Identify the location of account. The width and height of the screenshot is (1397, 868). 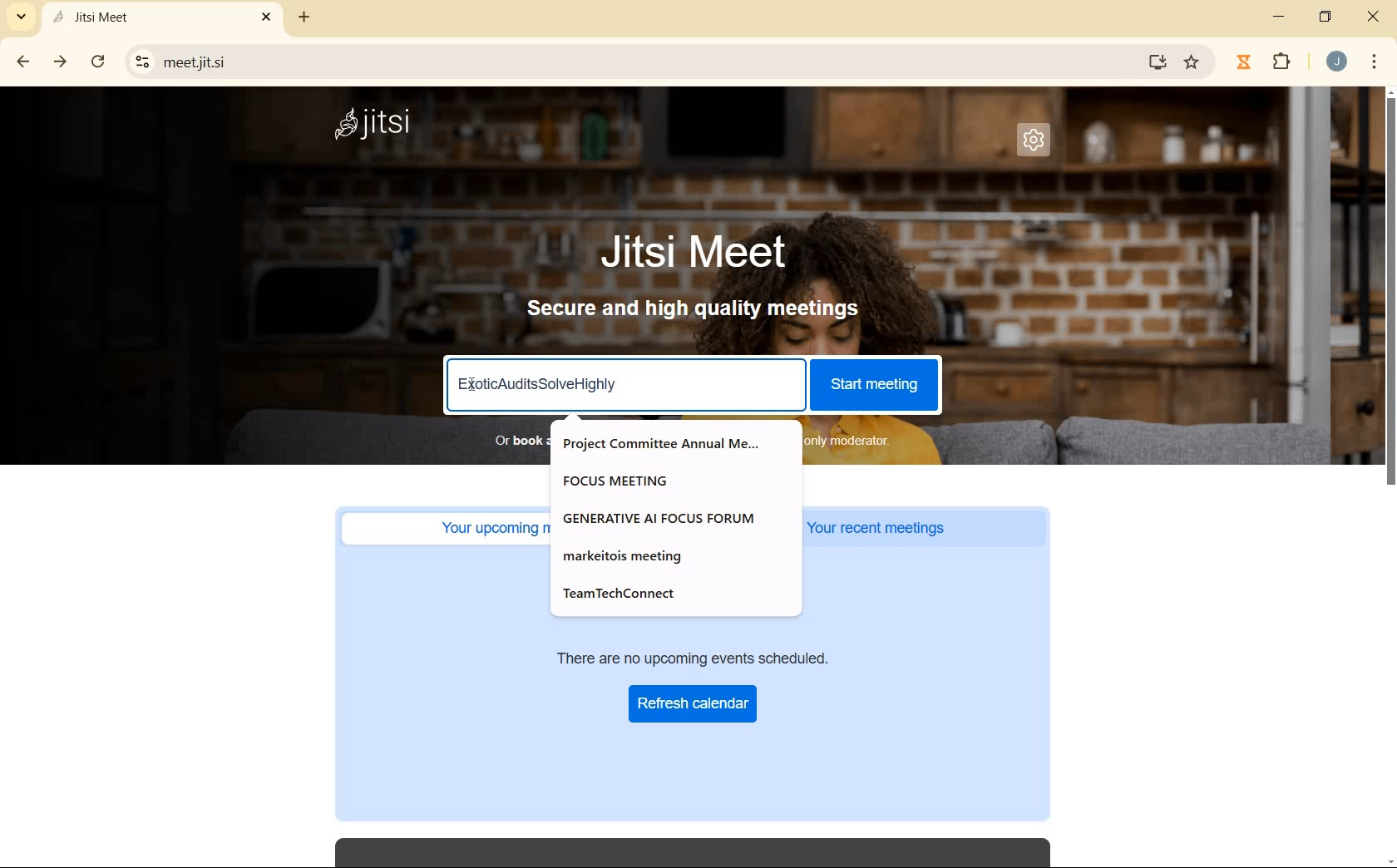
(1336, 62).